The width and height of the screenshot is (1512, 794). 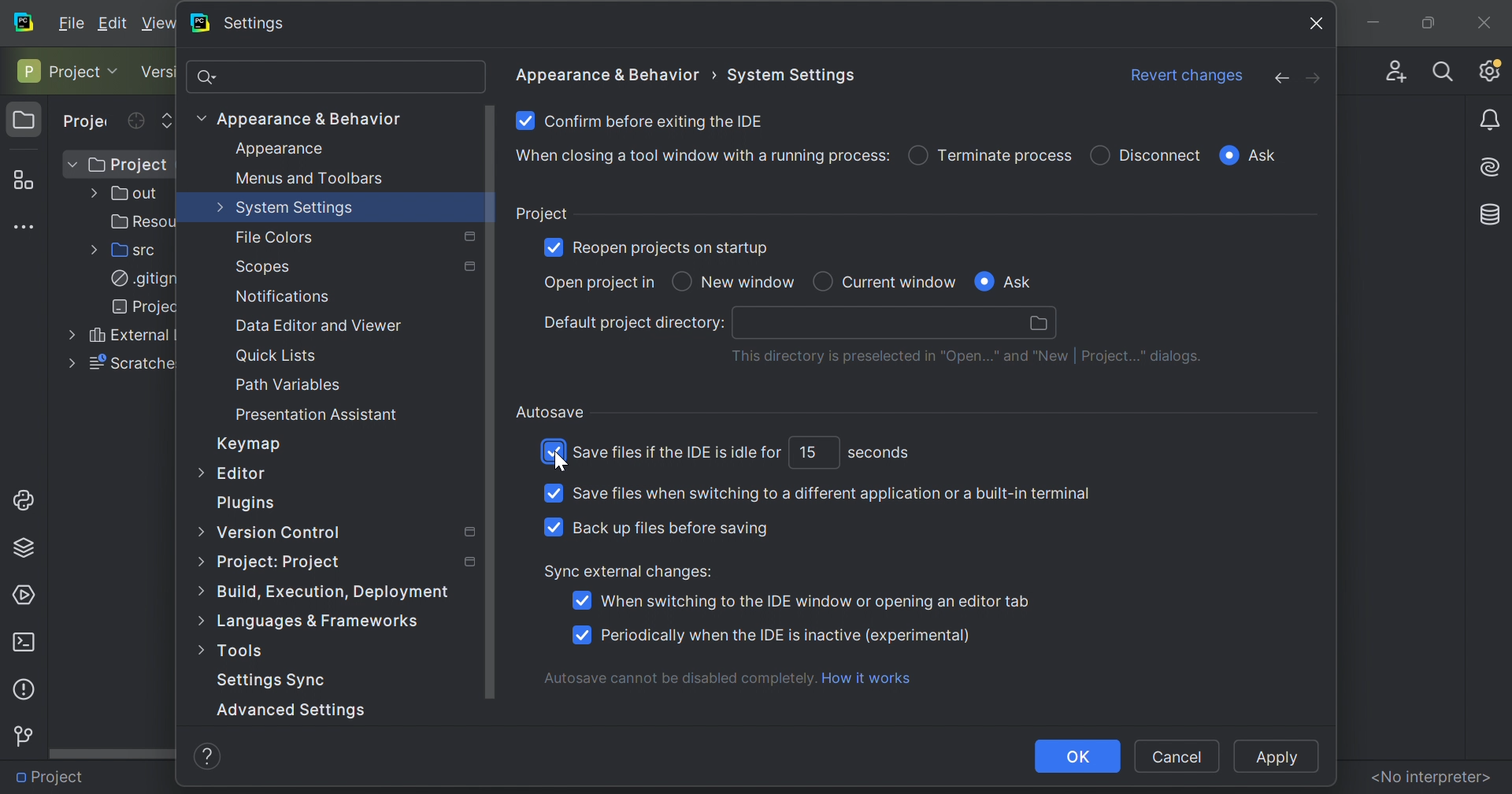 I want to click on PyCharm, so click(x=198, y=23).